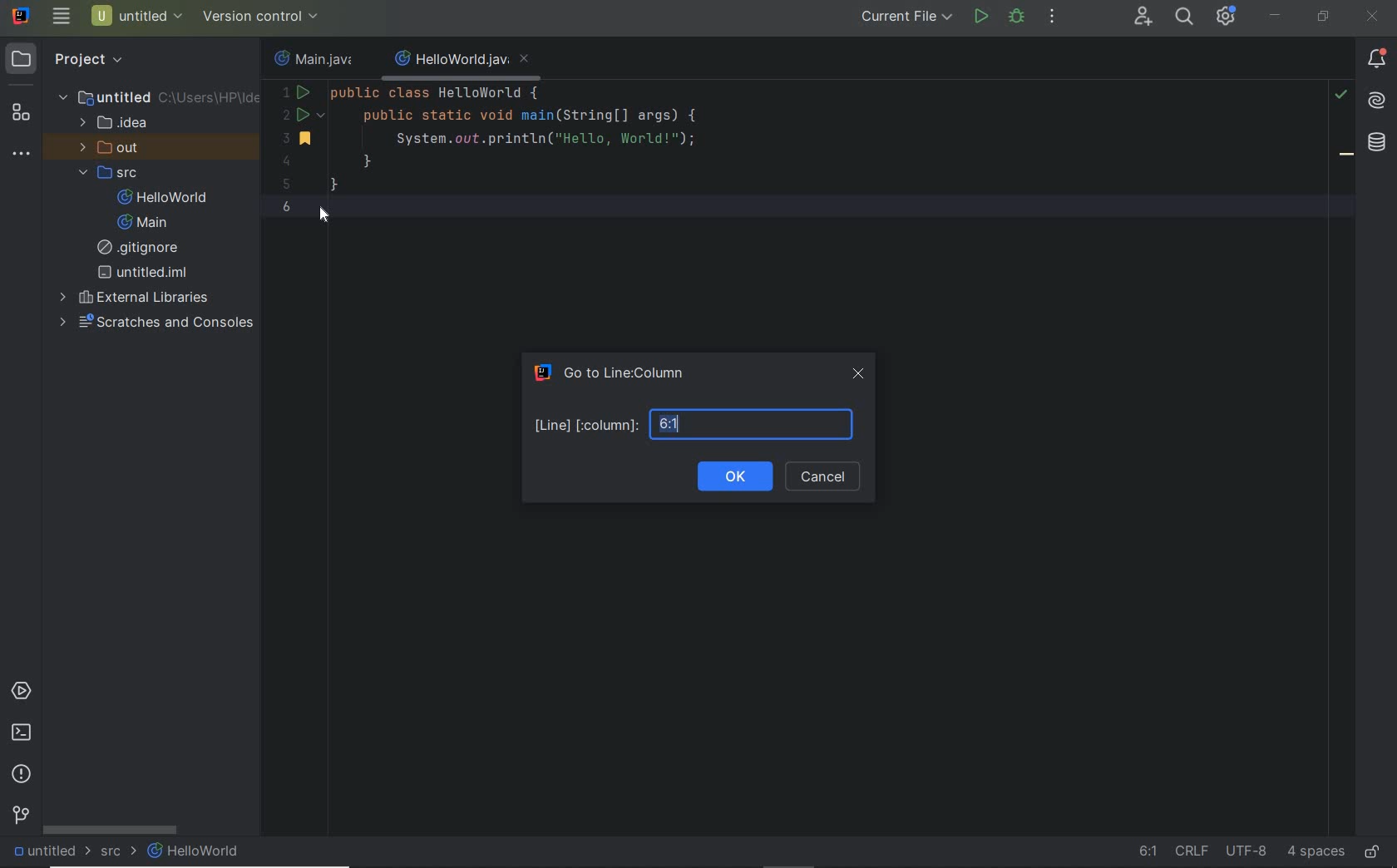 Image resolution: width=1397 pixels, height=868 pixels. Describe the element at coordinates (1054, 17) in the screenshot. I see `more actions` at that location.